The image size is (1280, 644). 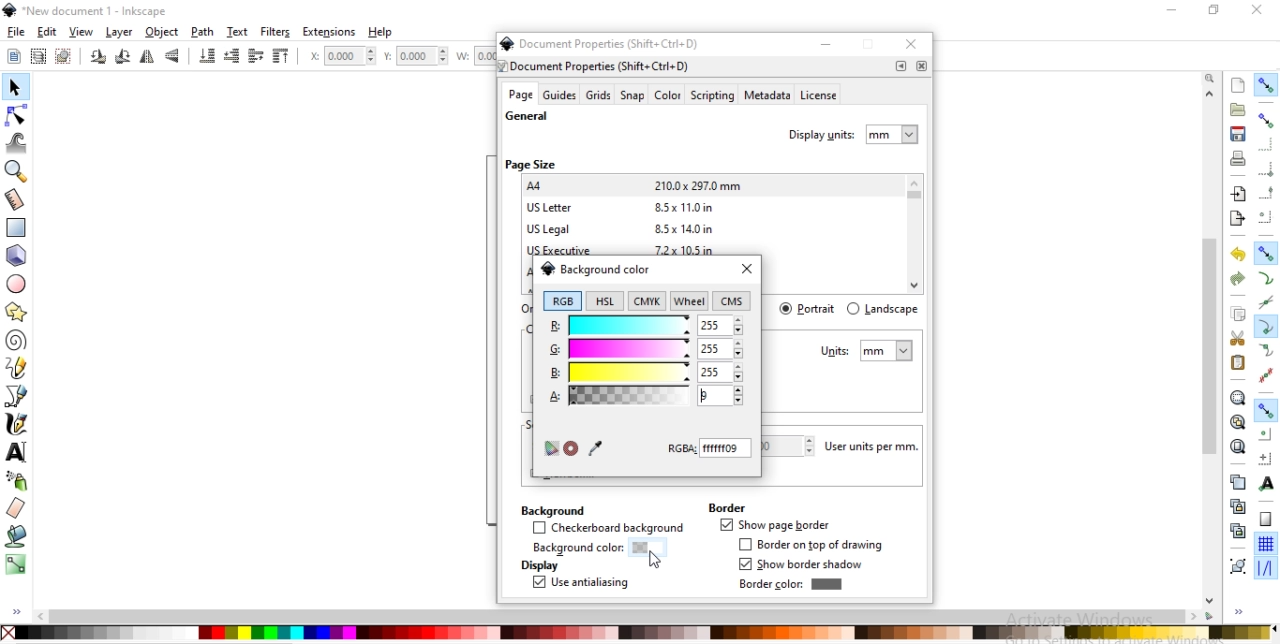 What do you see at coordinates (340, 58) in the screenshot?
I see `horizontal coordinate of selection` at bounding box center [340, 58].